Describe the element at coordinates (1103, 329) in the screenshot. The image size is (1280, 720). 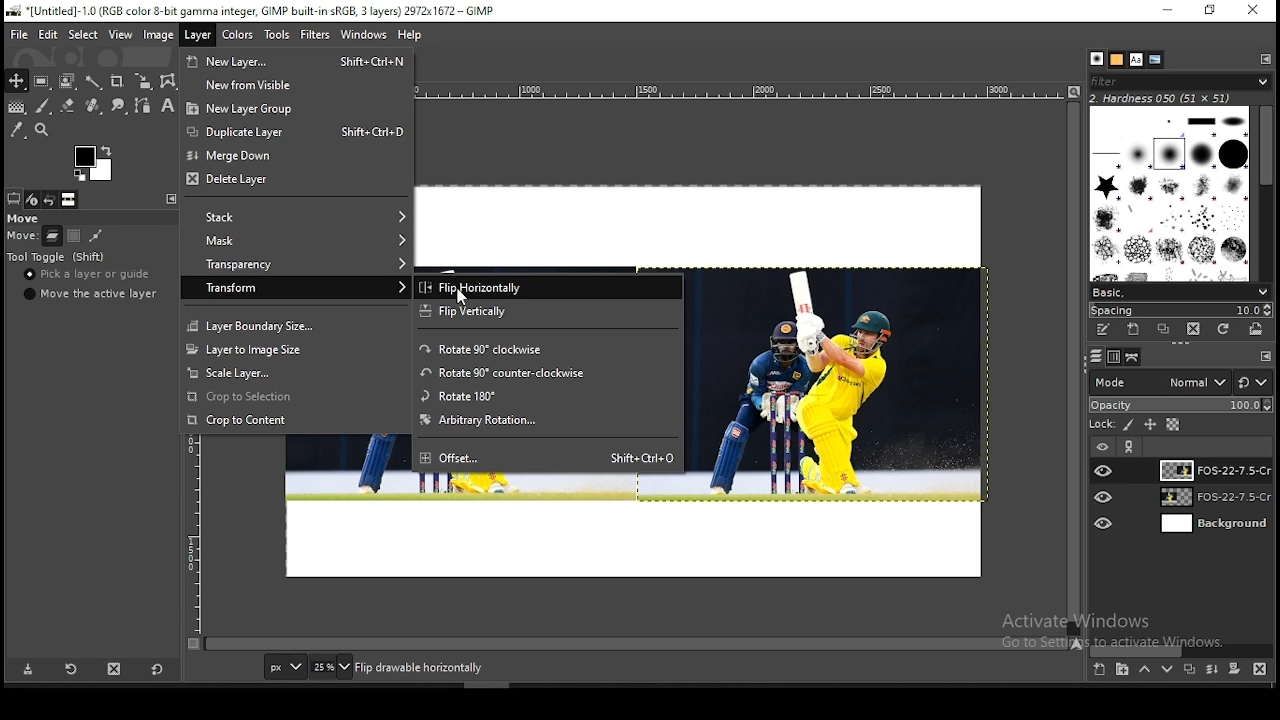
I see `edit this brush` at that location.